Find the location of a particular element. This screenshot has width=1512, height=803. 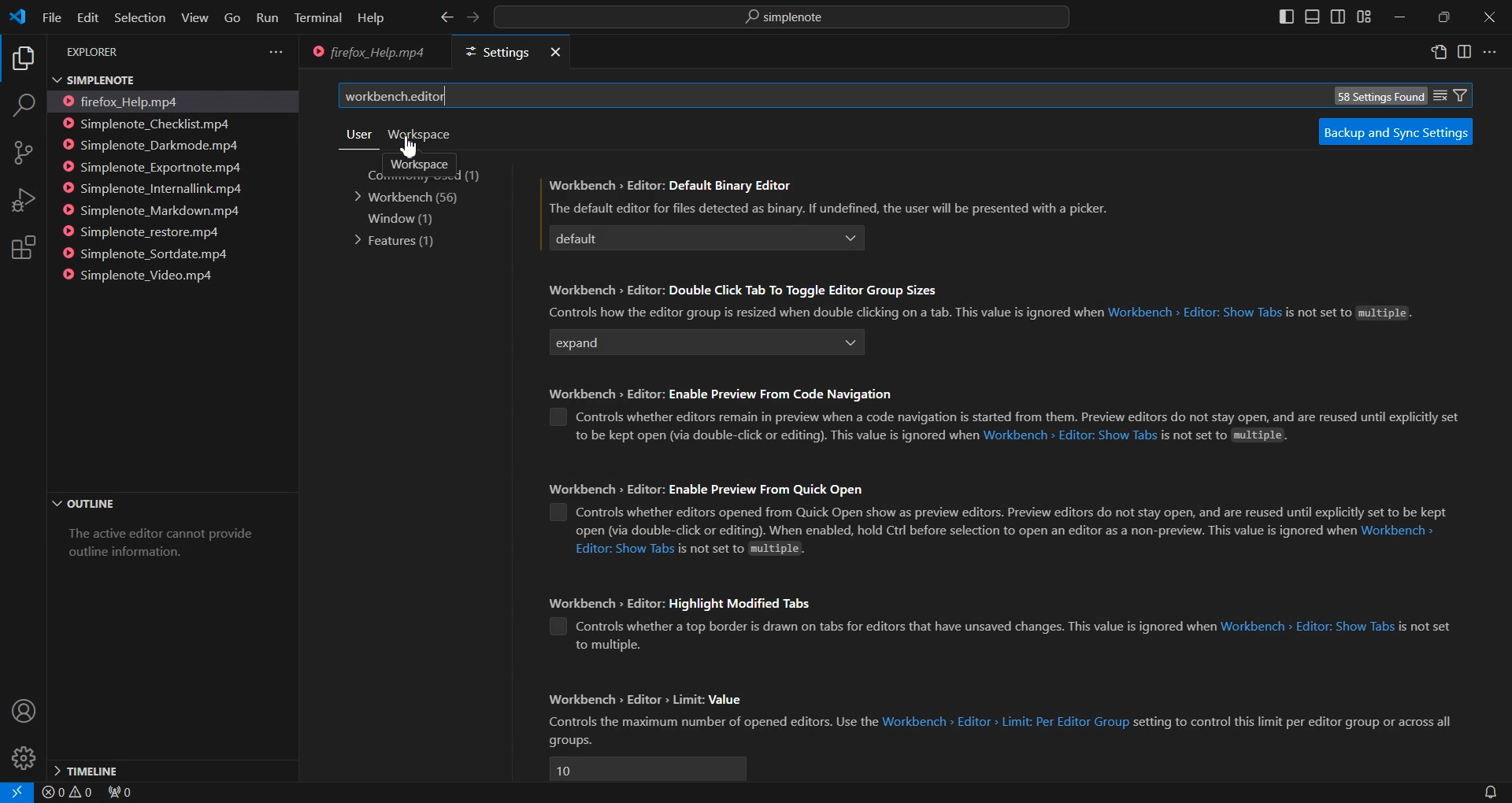

Drop down box is located at coordinates (854, 239).